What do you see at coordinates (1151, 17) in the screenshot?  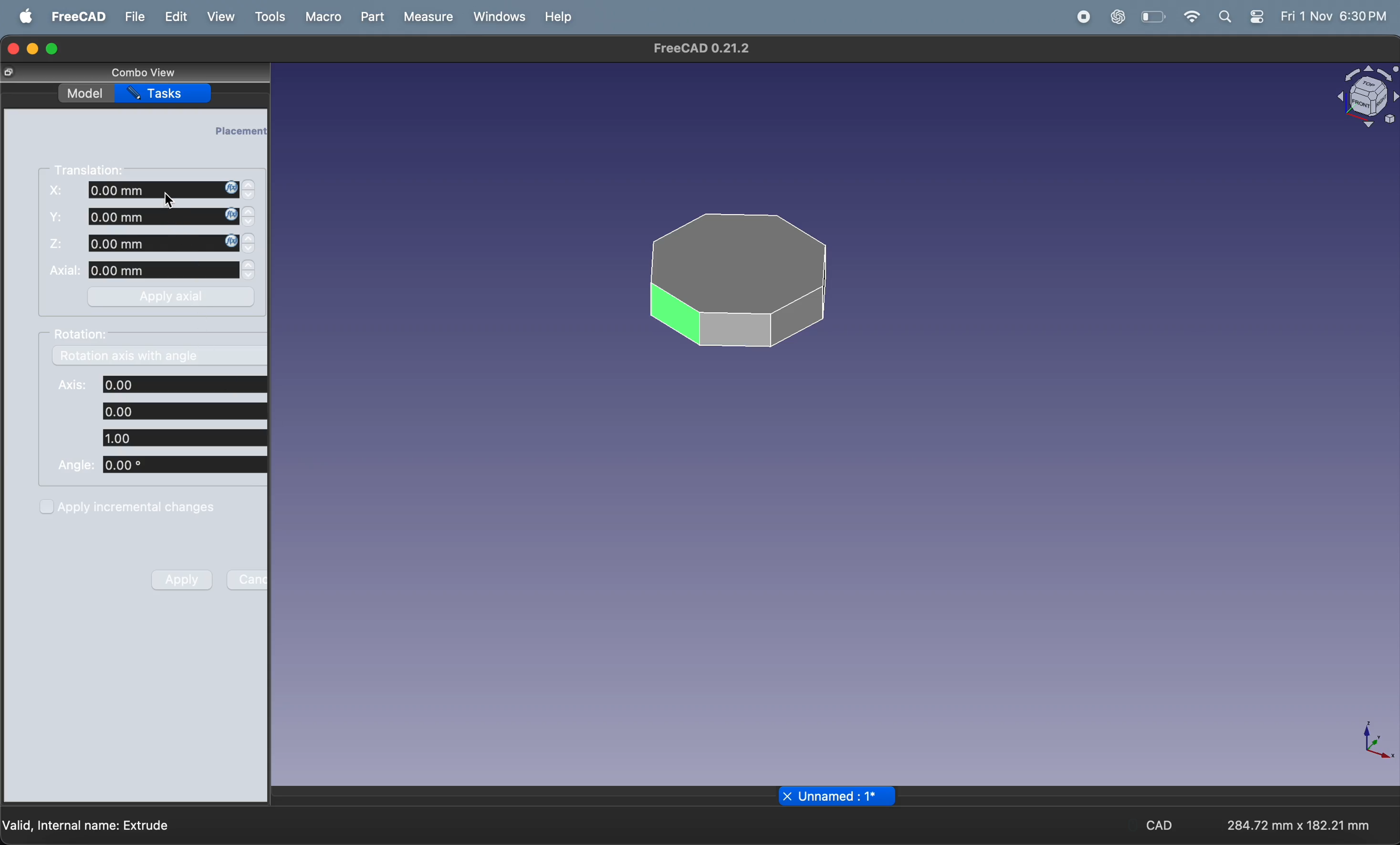 I see `battery` at bounding box center [1151, 17].